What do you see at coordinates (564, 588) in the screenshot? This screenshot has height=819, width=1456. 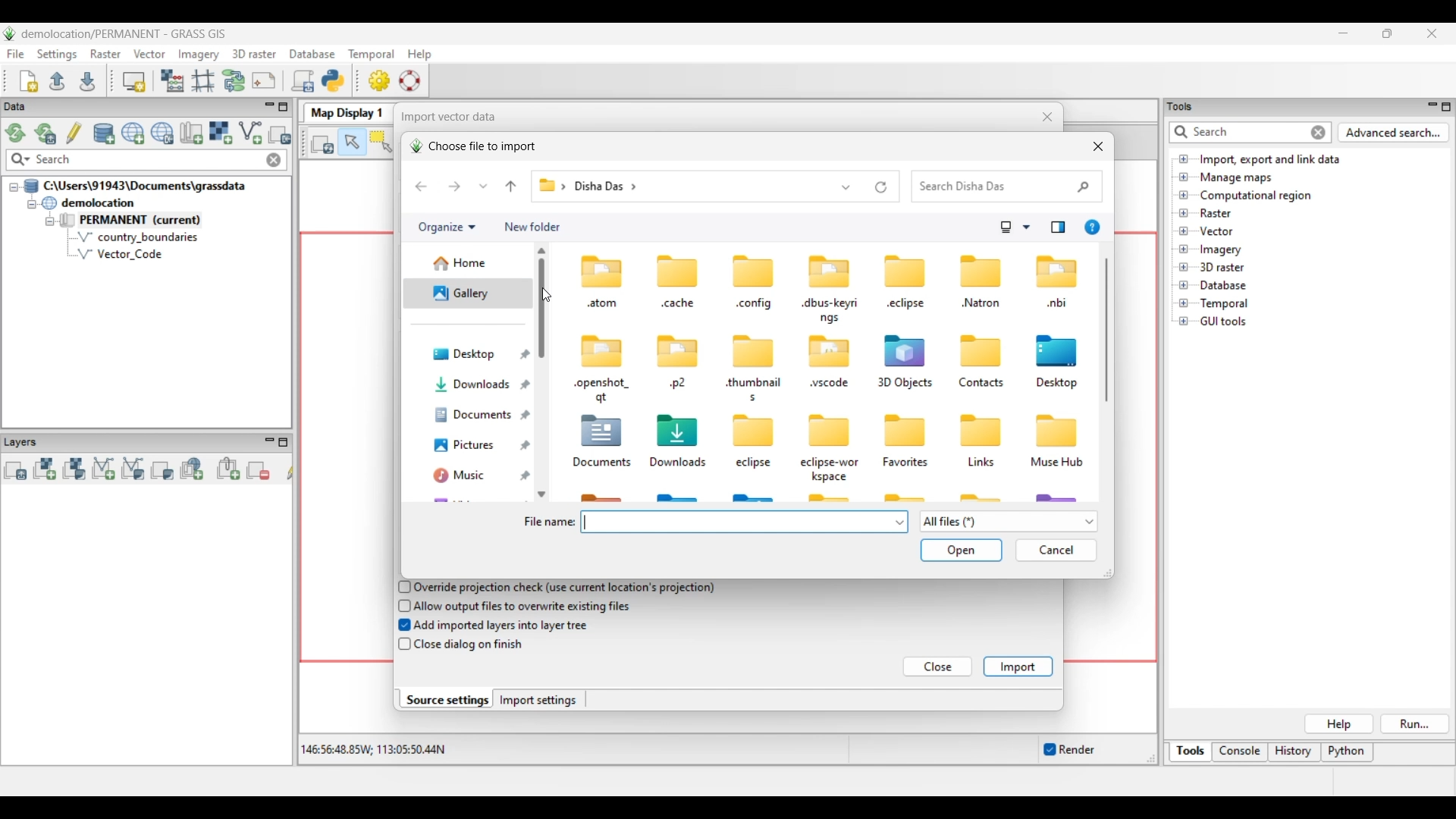 I see `Override projection check` at bounding box center [564, 588].